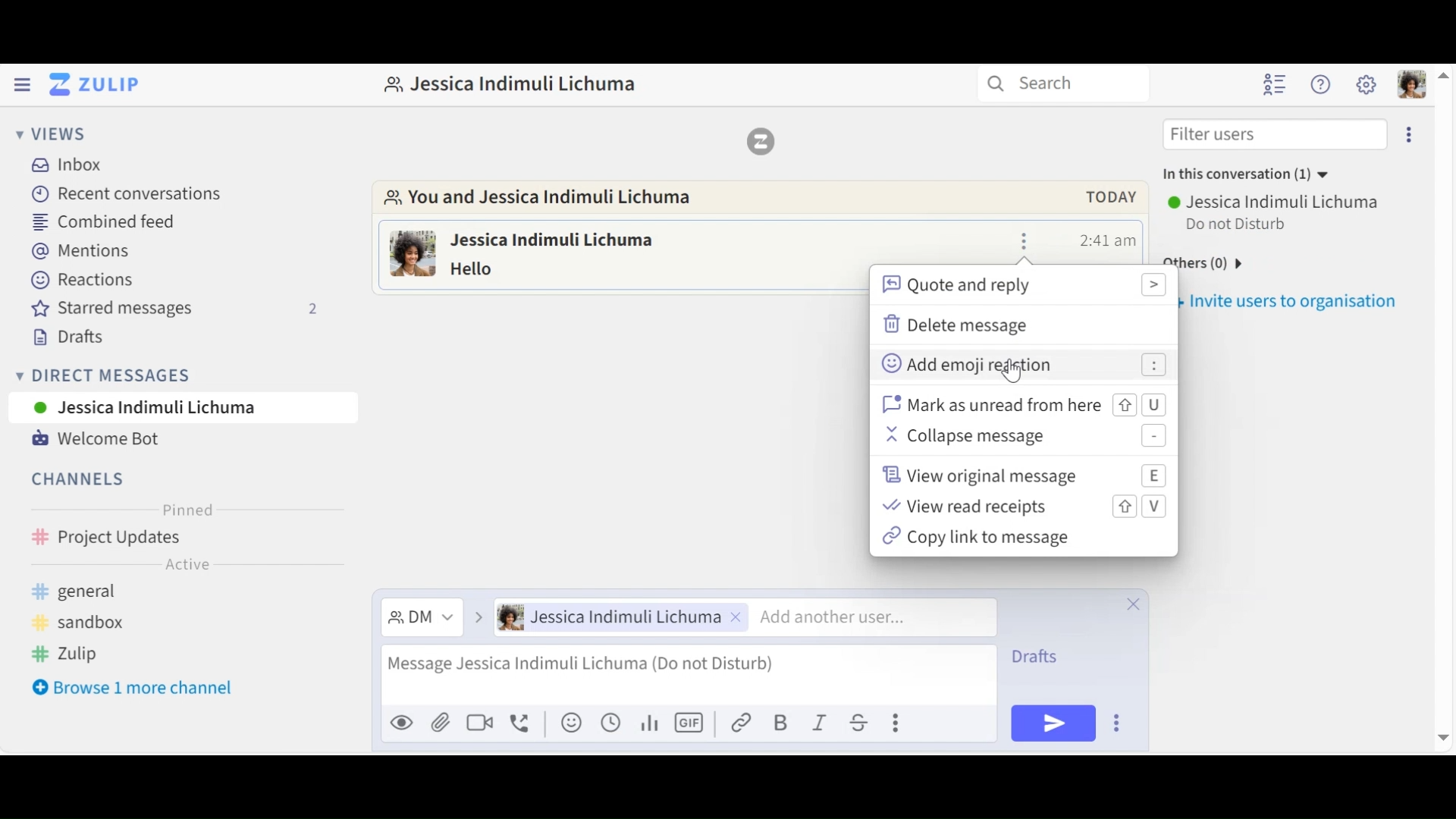  Describe the element at coordinates (966, 325) in the screenshot. I see `Delete message` at that location.